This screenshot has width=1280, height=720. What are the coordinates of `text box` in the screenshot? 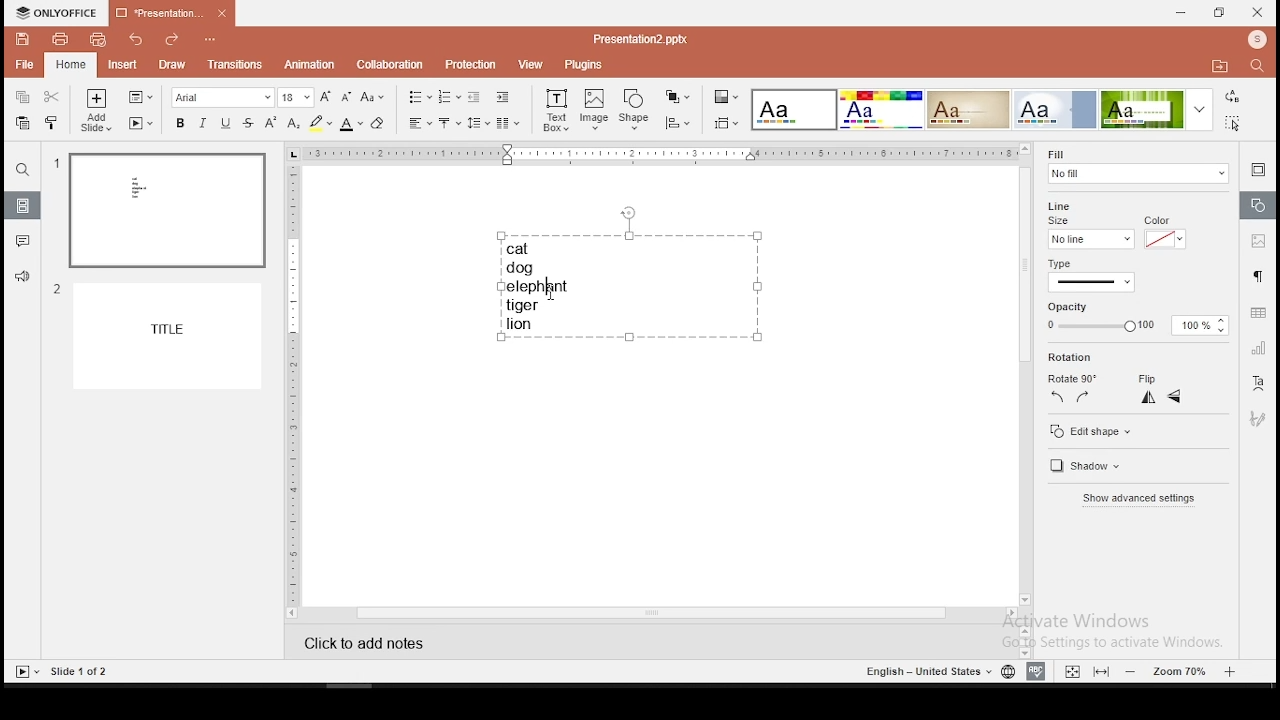 It's located at (556, 112).